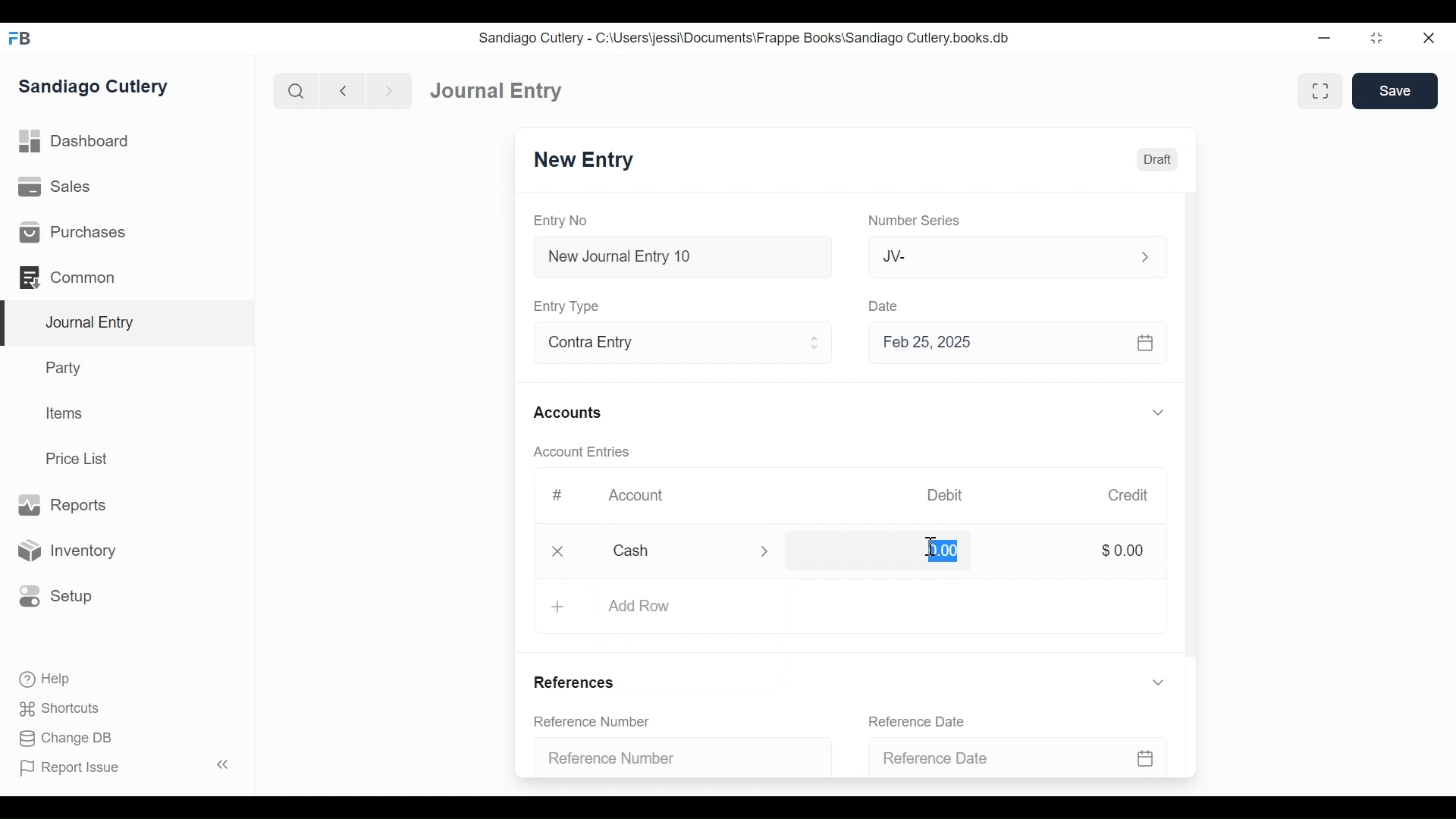 This screenshot has width=1456, height=819. Describe the element at coordinates (575, 682) in the screenshot. I see `References` at that location.